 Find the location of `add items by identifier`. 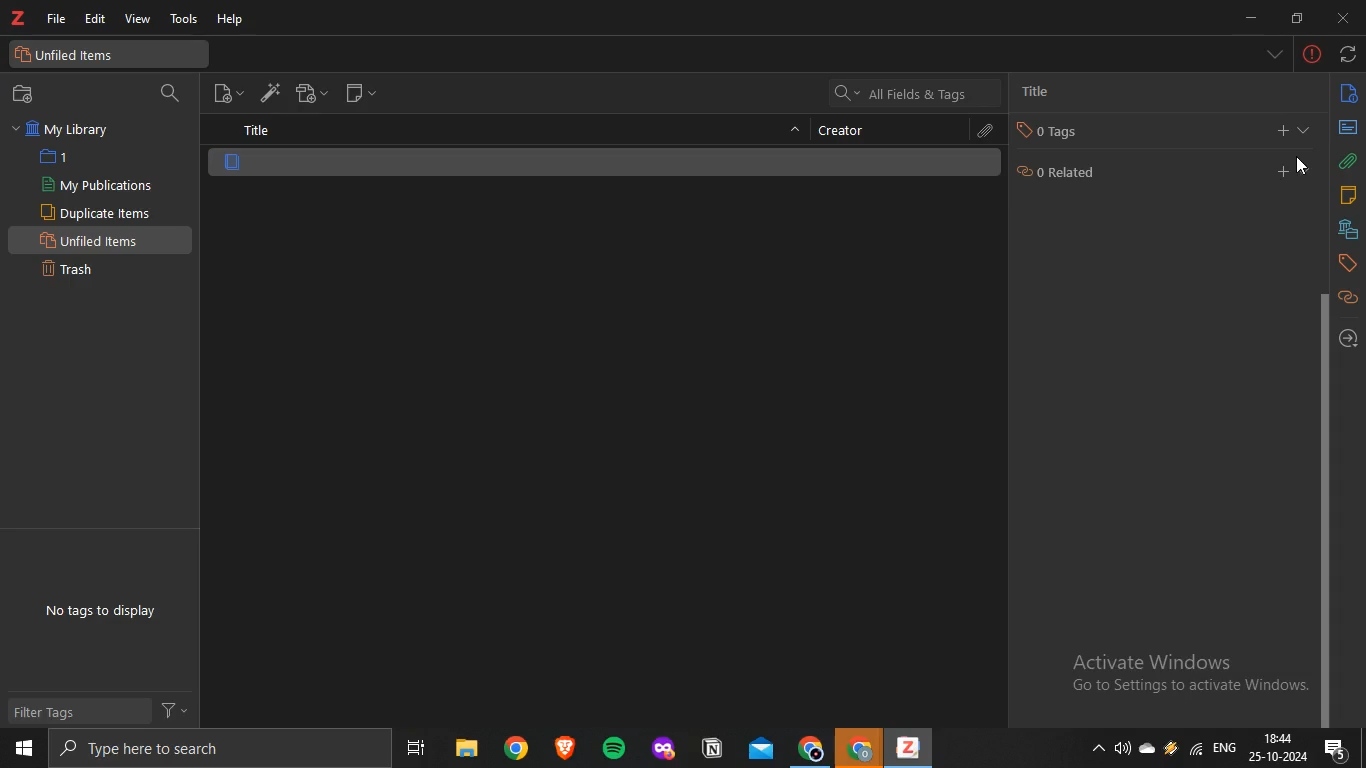

add items by identifier is located at coordinates (270, 92).